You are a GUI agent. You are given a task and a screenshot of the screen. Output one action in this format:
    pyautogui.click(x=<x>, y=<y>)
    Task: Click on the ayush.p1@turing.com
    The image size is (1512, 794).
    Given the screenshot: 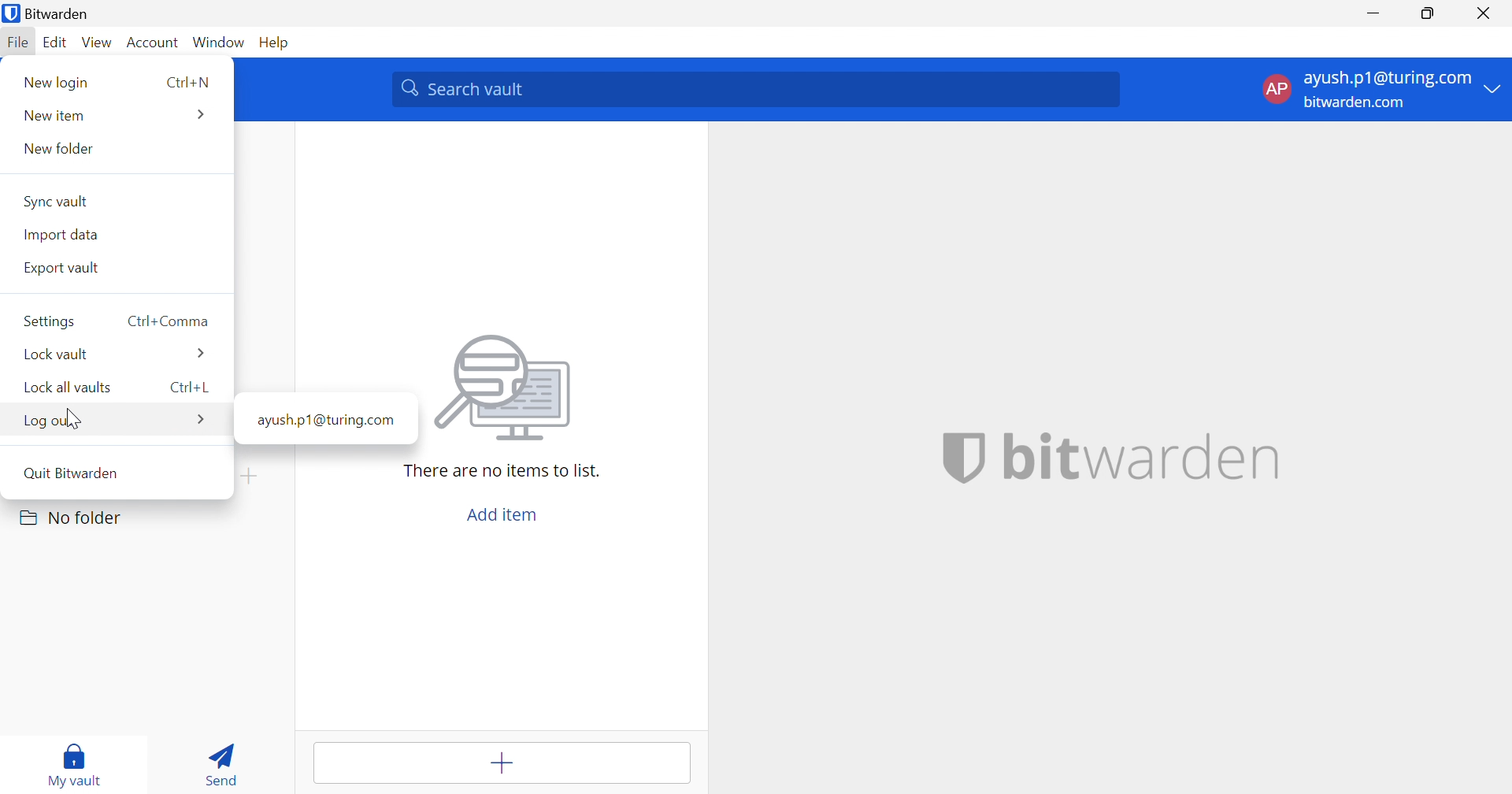 What is the action you would take?
    pyautogui.click(x=324, y=418)
    